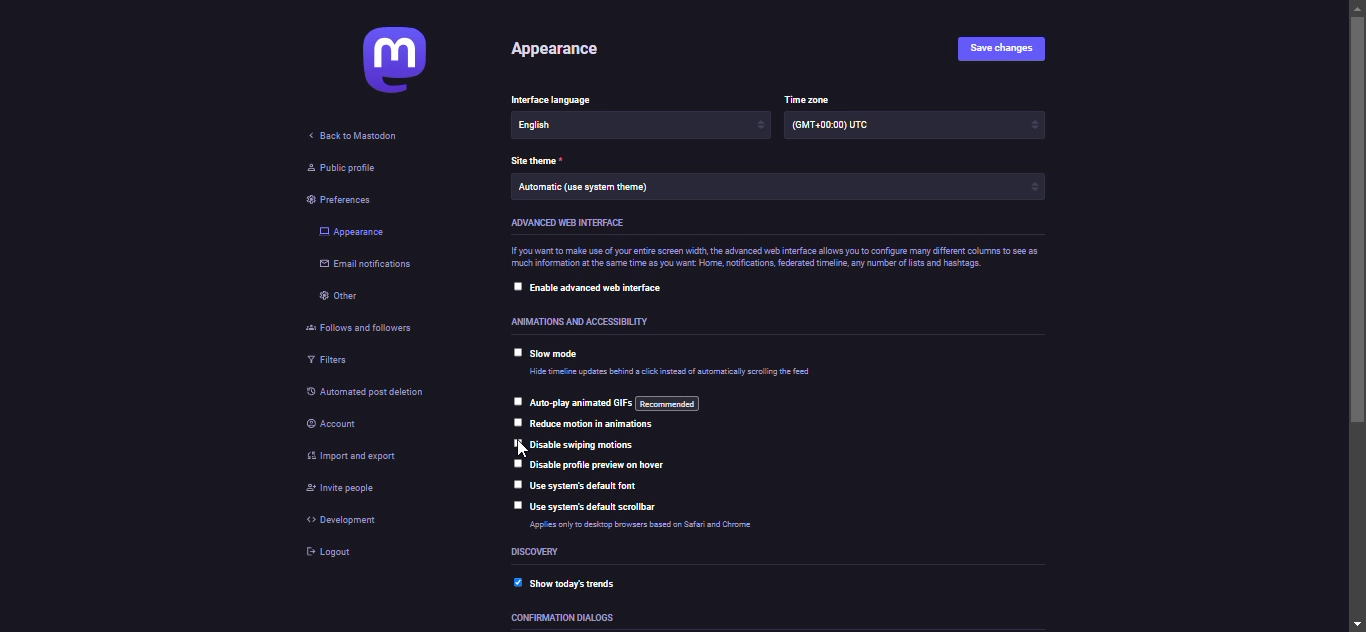 This screenshot has width=1366, height=632. I want to click on language, so click(550, 98).